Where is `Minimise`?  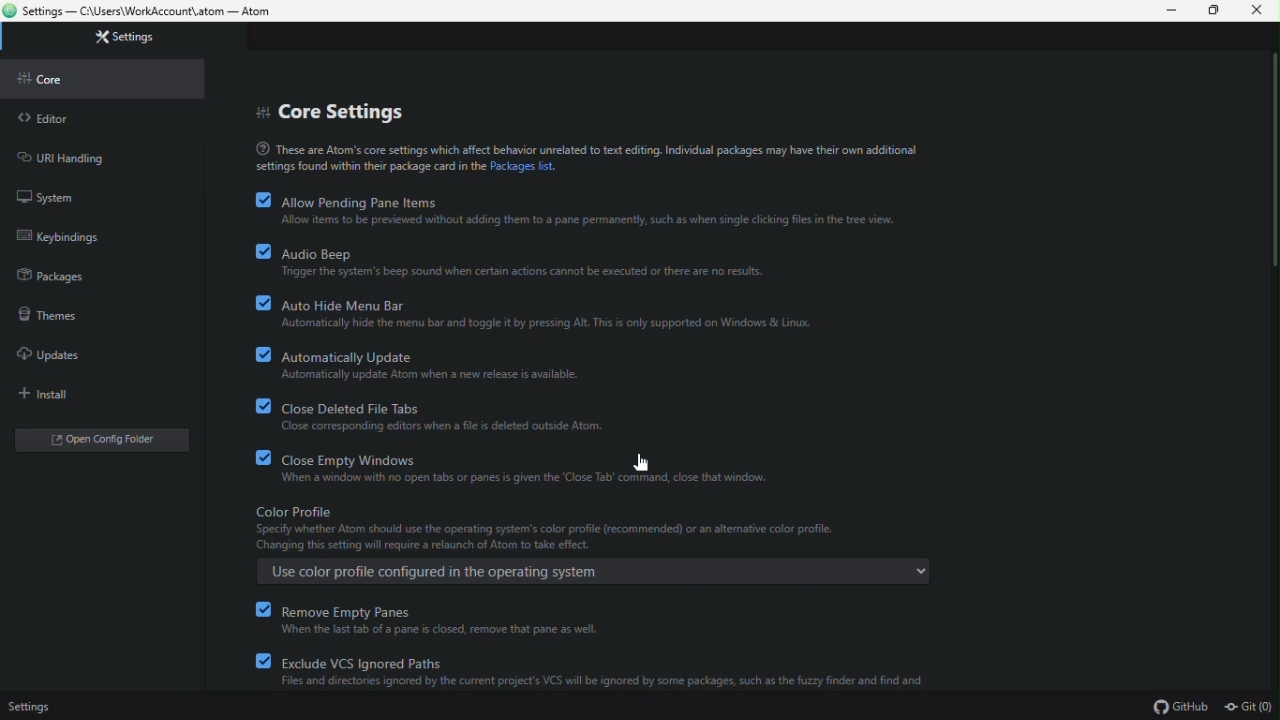 Minimise is located at coordinates (1175, 10).